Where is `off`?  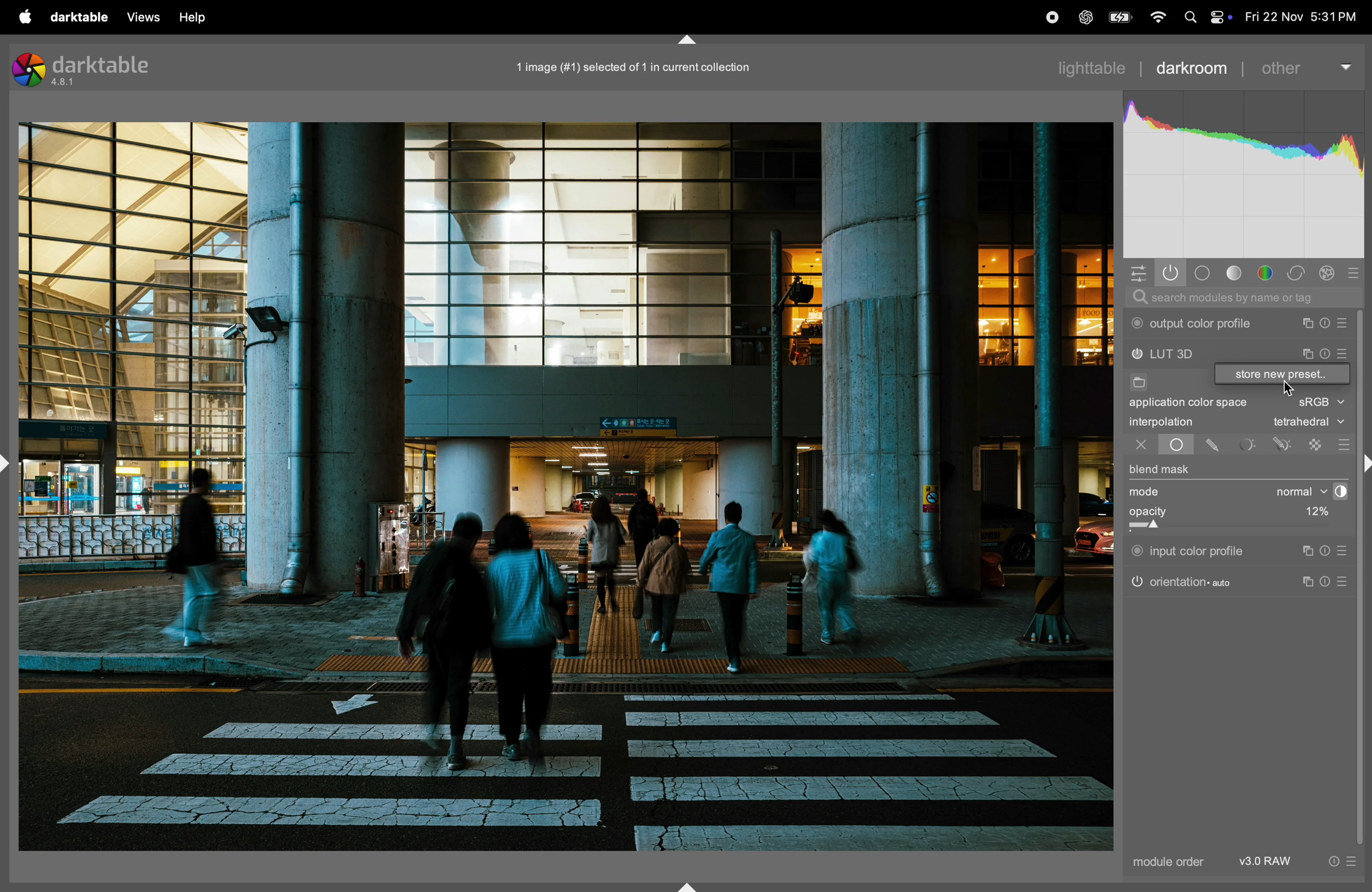 off is located at coordinates (1141, 446).